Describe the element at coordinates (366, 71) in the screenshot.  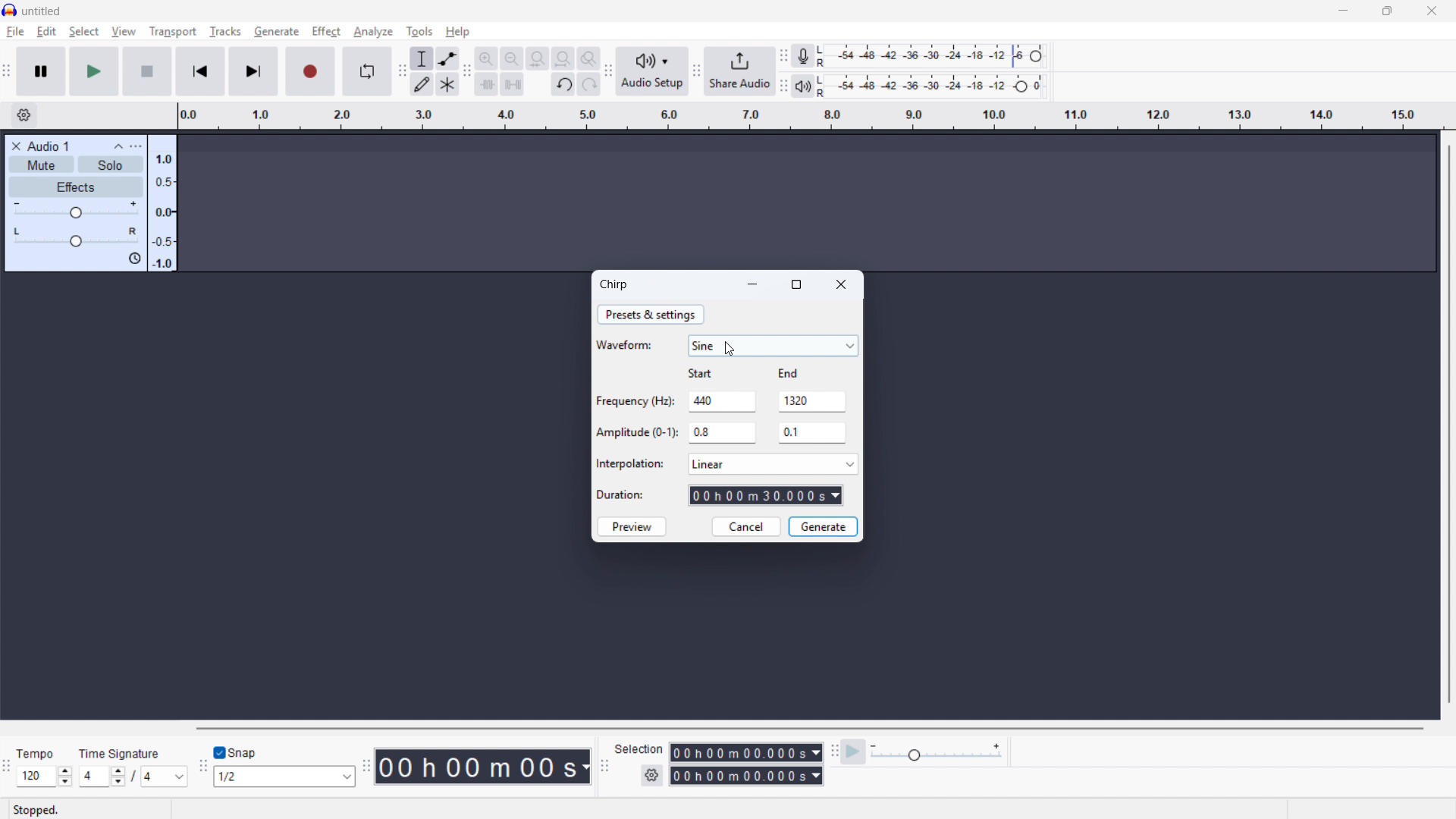
I see `Enable looping ` at that location.